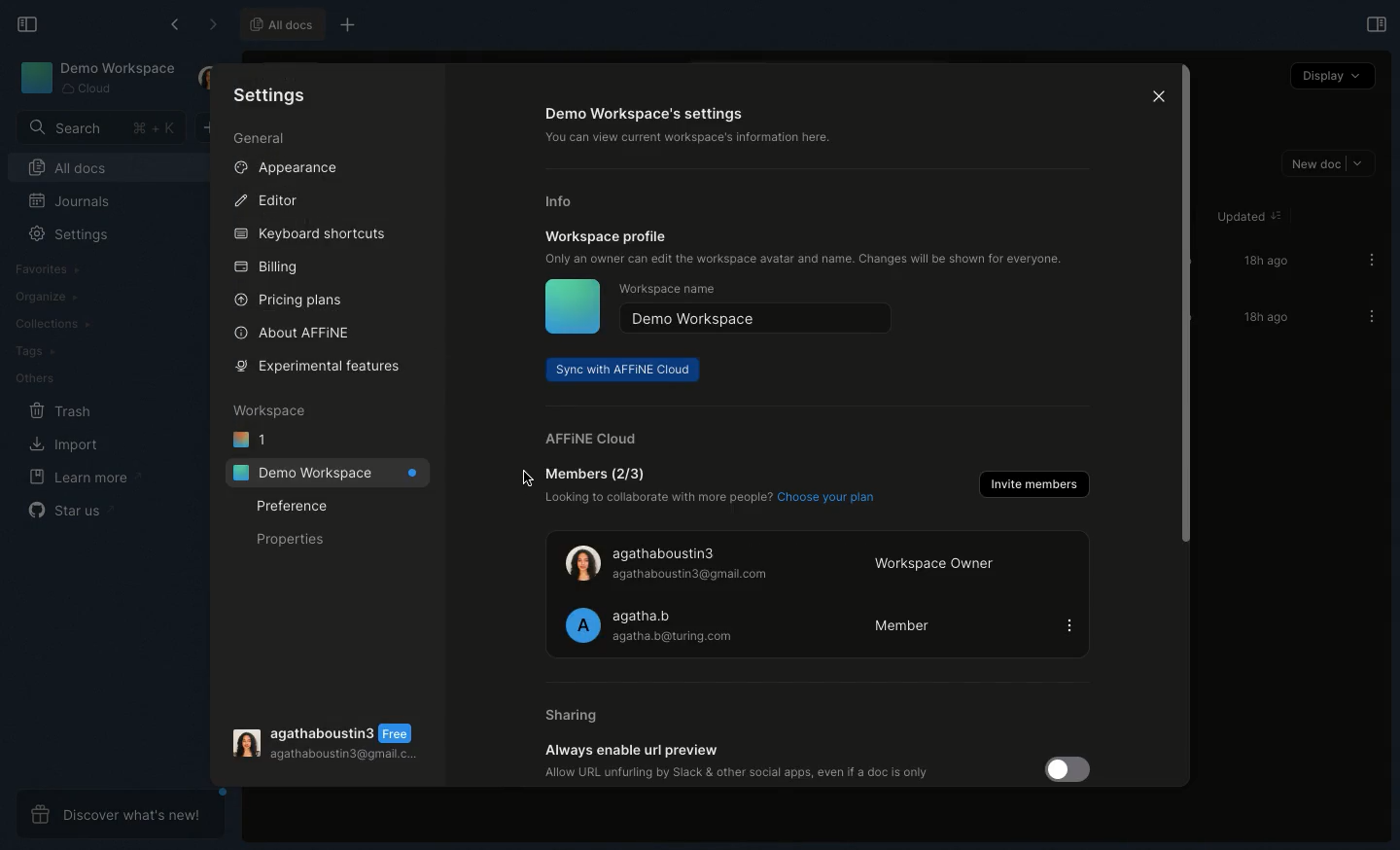 This screenshot has height=850, width=1400. Describe the element at coordinates (287, 301) in the screenshot. I see `Pricing plans` at that location.